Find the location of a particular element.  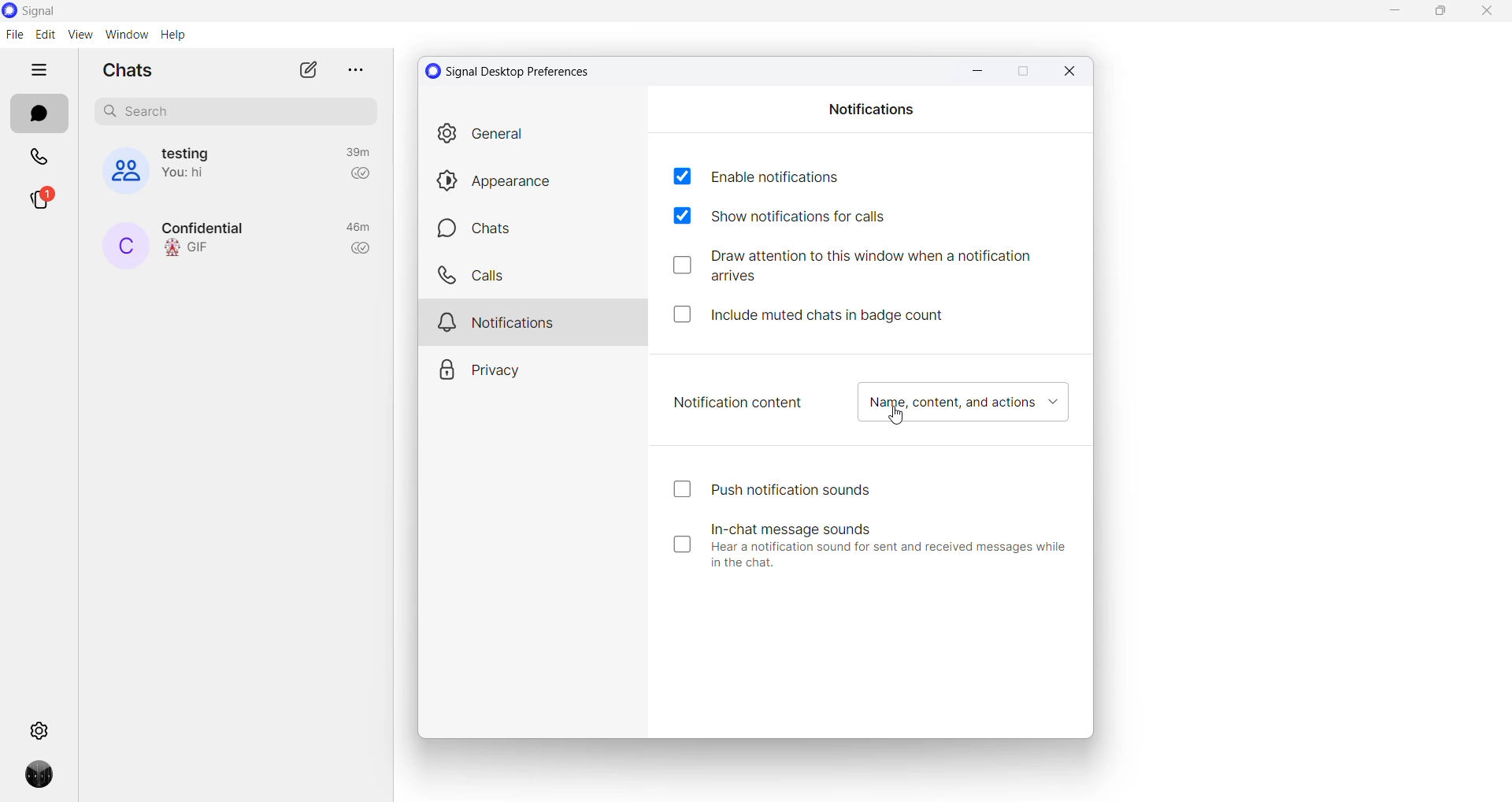

push notification sounds is located at coordinates (776, 489).